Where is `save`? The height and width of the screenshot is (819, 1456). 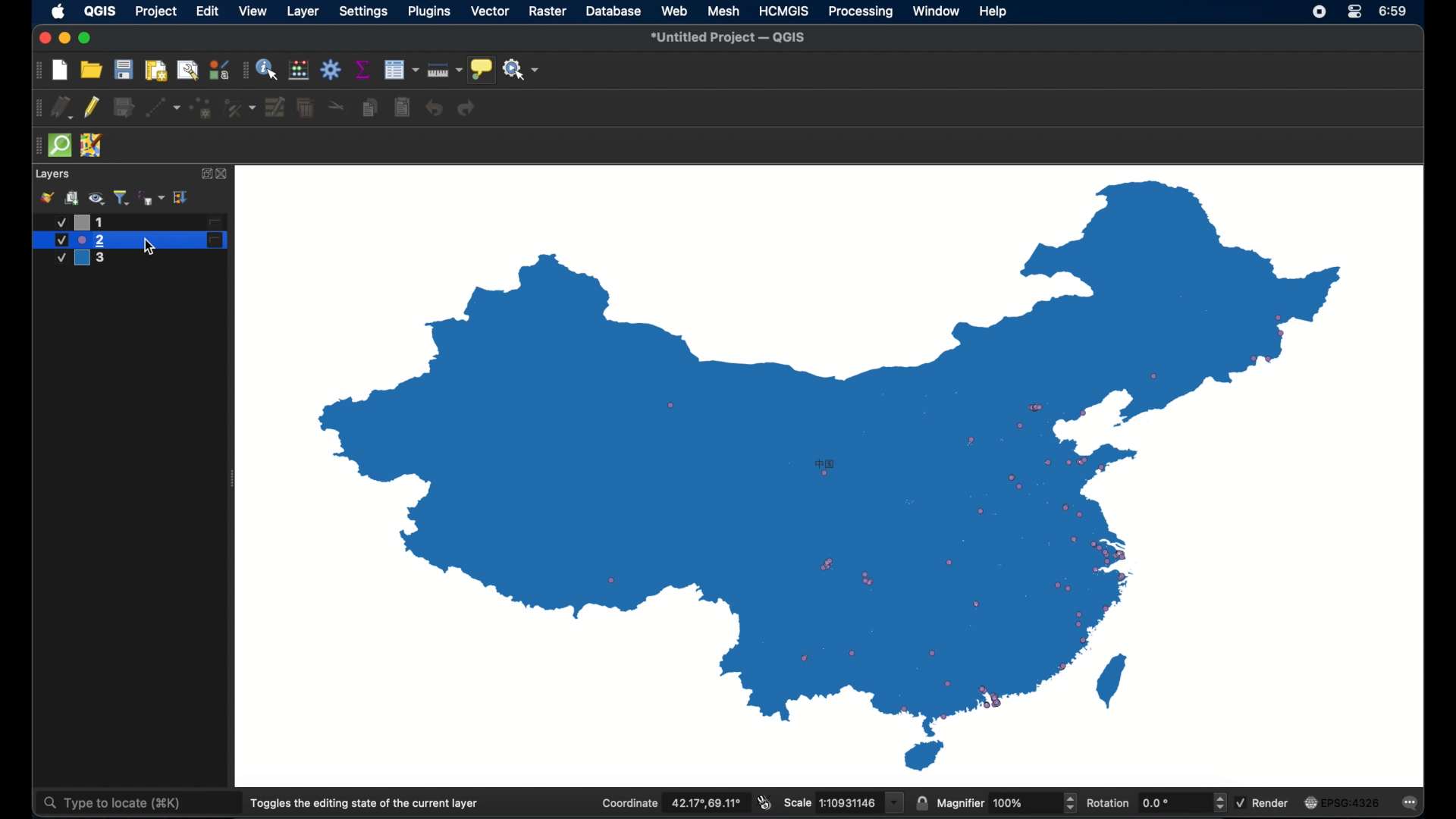
save is located at coordinates (124, 69).